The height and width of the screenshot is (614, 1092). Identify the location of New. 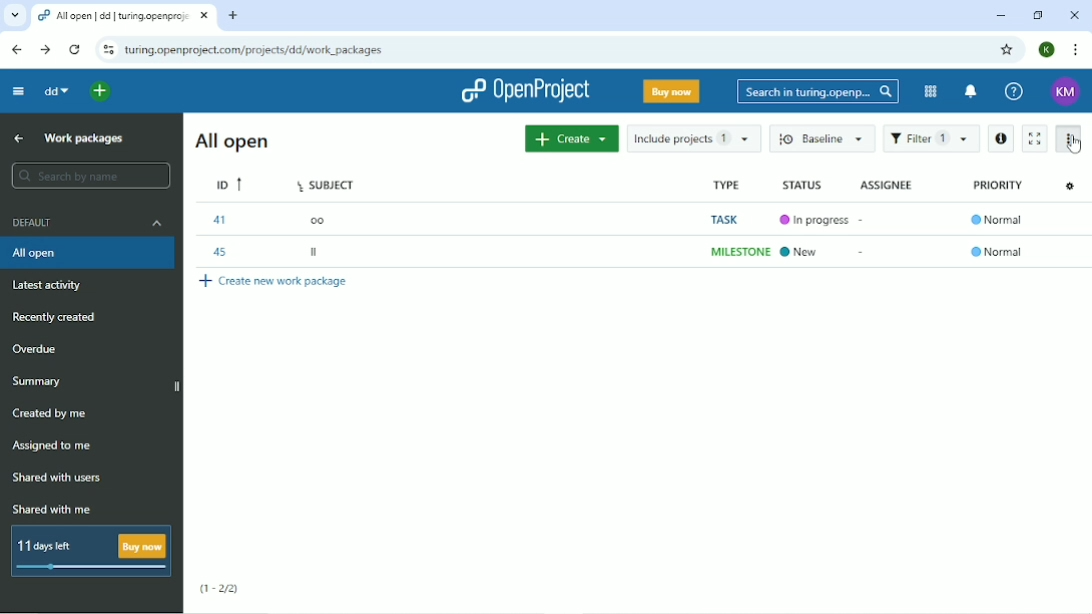
(800, 252).